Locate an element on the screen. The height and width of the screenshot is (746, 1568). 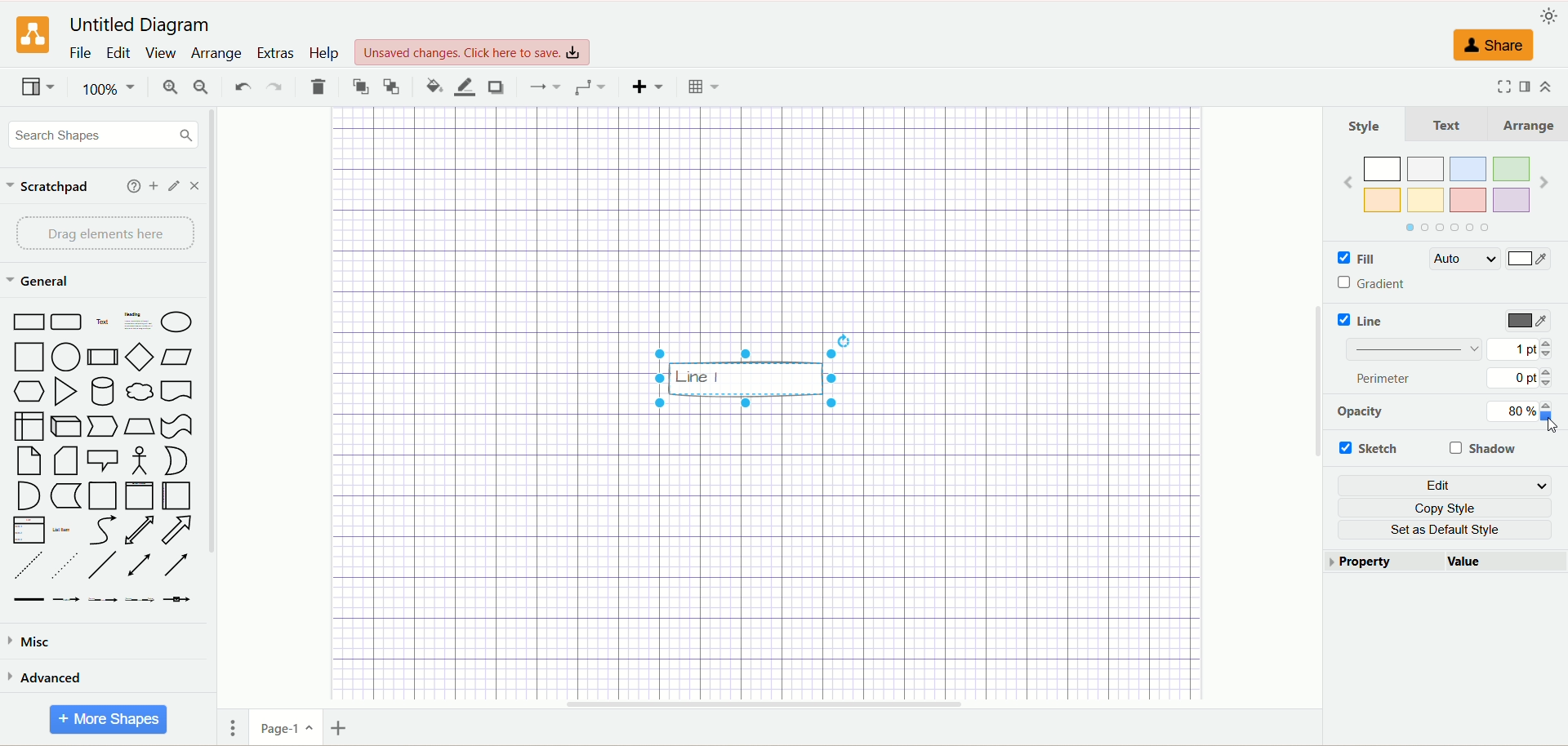
shadow is located at coordinates (497, 87).